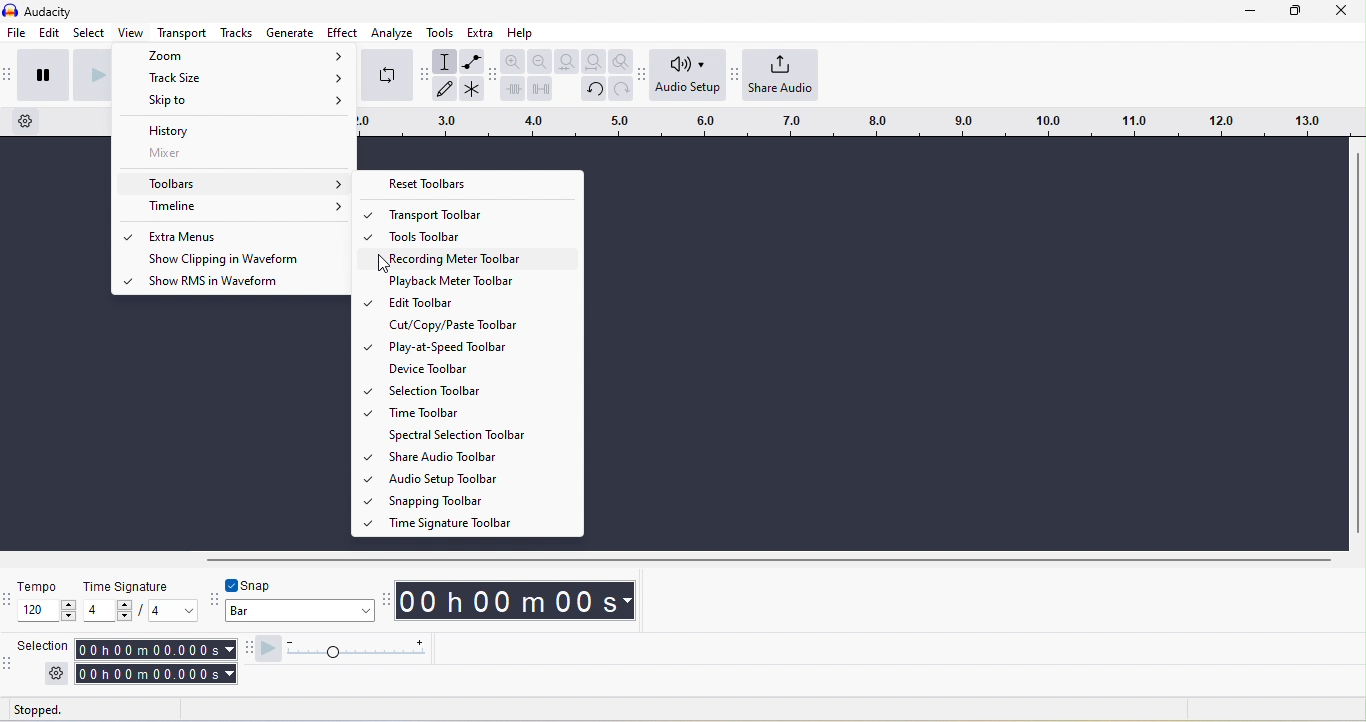 Image resolution: width=1366 pixels, height=722 pixels. I want to click on Toolbars , so click(234, 183).